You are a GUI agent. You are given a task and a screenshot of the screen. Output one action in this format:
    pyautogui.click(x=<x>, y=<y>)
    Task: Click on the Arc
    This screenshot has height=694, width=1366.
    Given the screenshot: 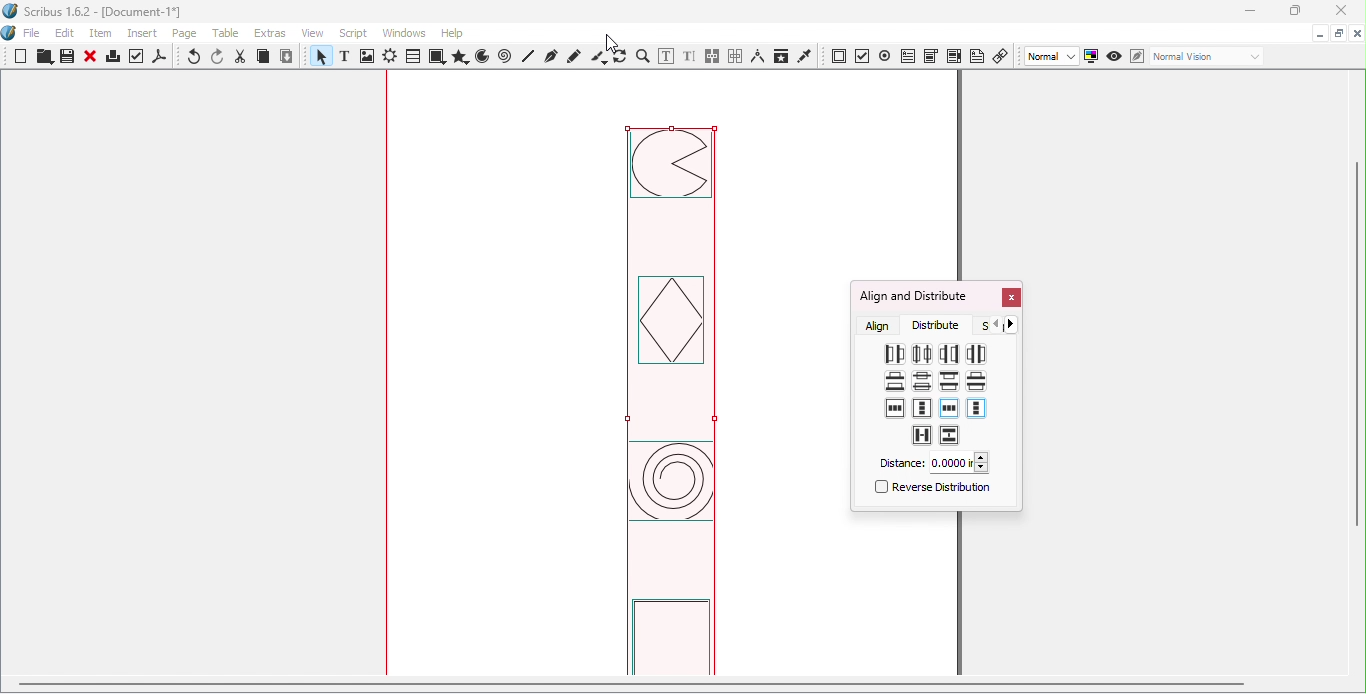 What is the action you would take?
    pyautogui.click(x=482, y=58)
    